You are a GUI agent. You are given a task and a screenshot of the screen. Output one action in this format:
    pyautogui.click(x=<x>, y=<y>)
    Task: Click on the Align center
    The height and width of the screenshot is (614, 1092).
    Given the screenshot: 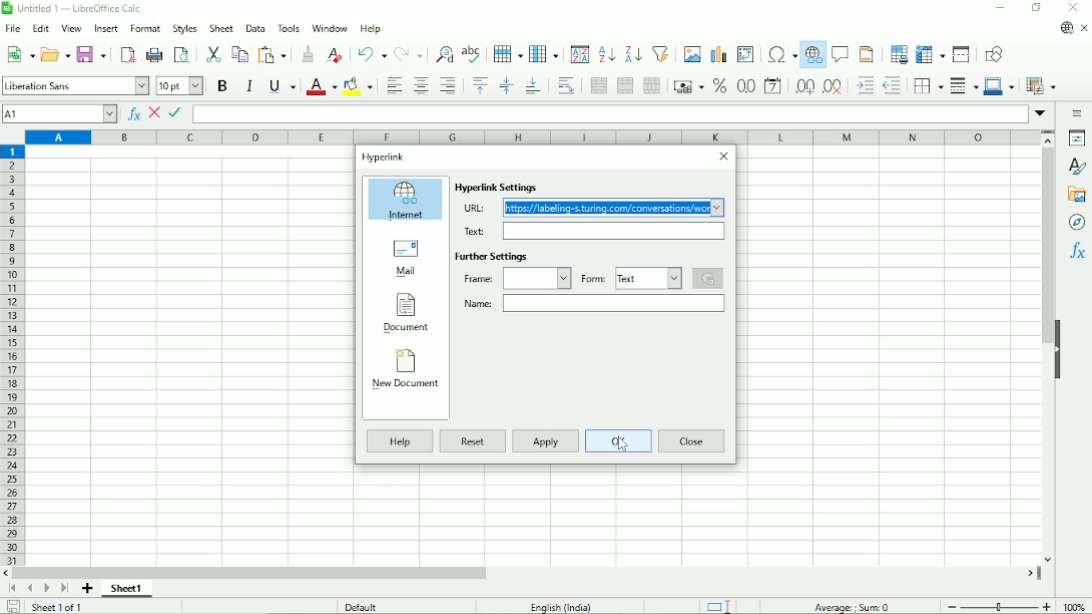 What is the action you would take?
    pyautogui.click(x=419, y=85)
    